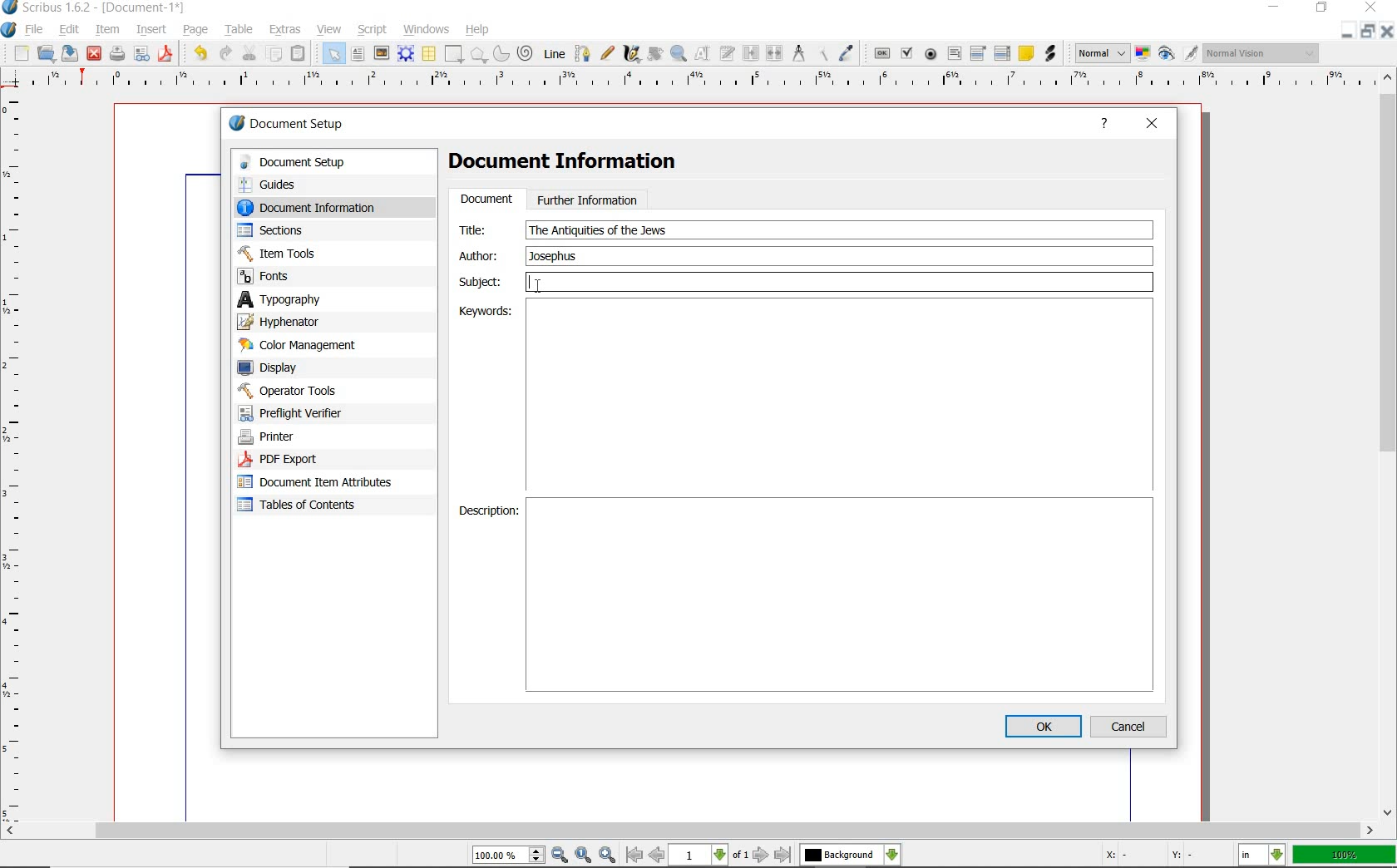  What do you see at coordinates (428, 53) in the screenshot?
I see `table` at bounding box center [428, 53].